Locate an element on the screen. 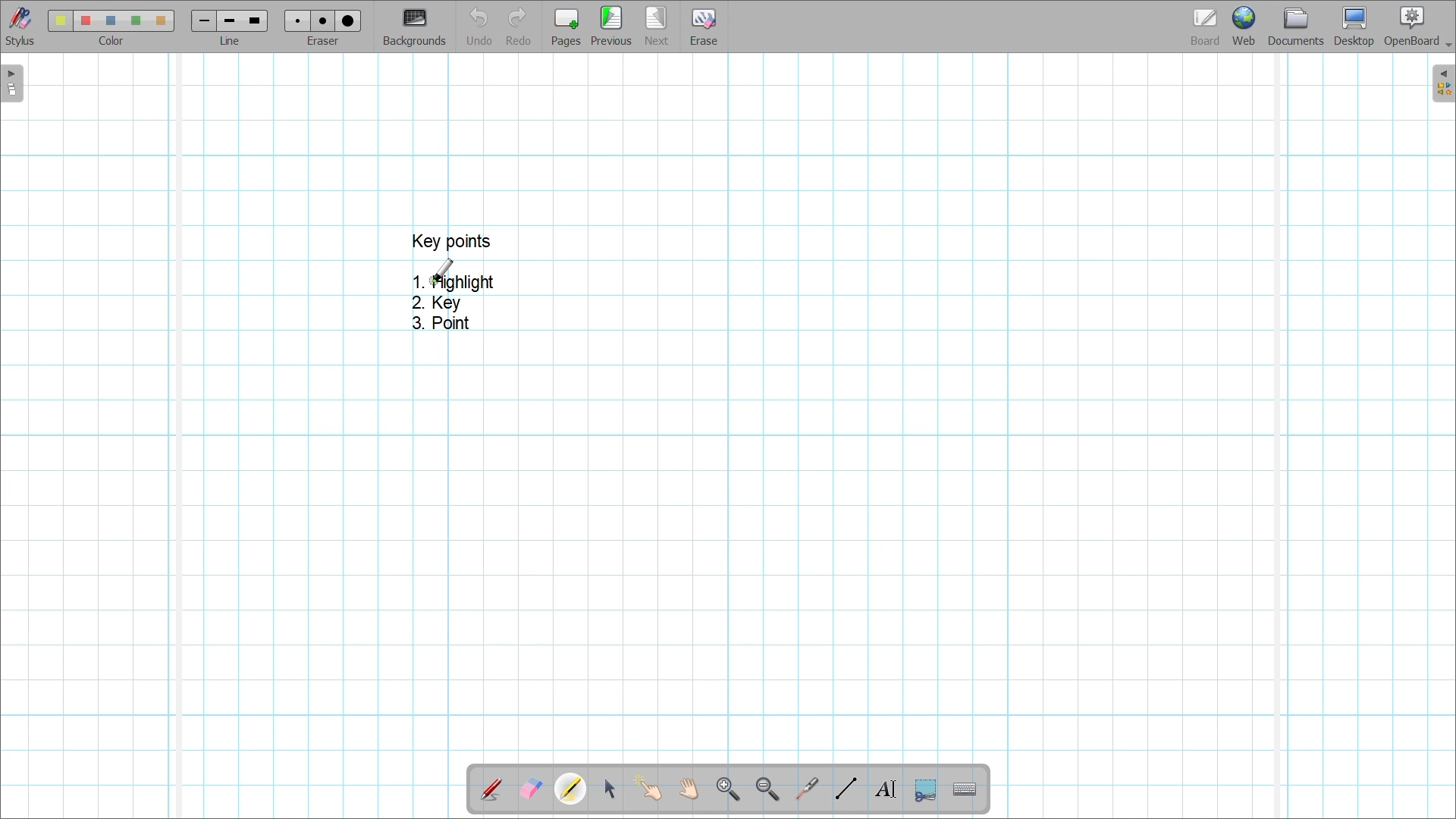 The height and width of the screenshot is (819, 1456). color5 is located at coordinates (159, 21).